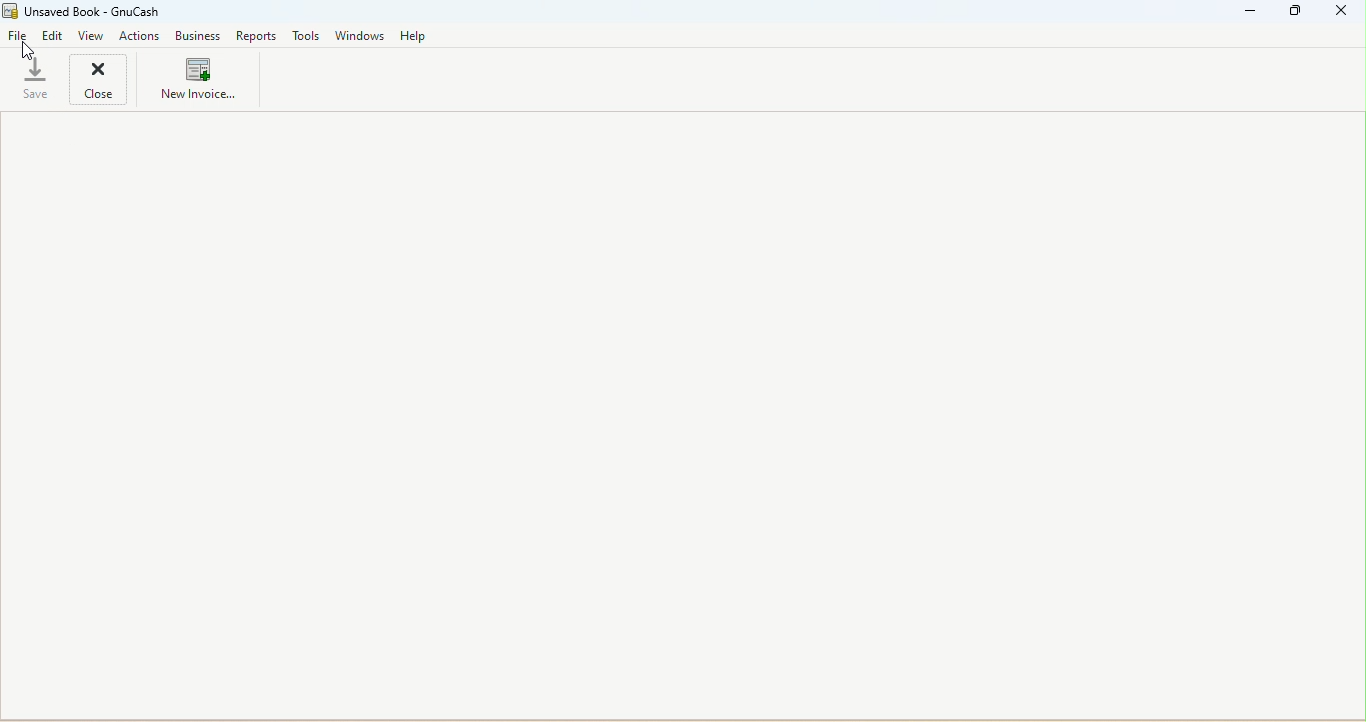 The width and height of the screenshot is (1366, 722). What do you see at coordinates (18, 38) in the screenshot?
I see `File` at bounding box center [18, 38].